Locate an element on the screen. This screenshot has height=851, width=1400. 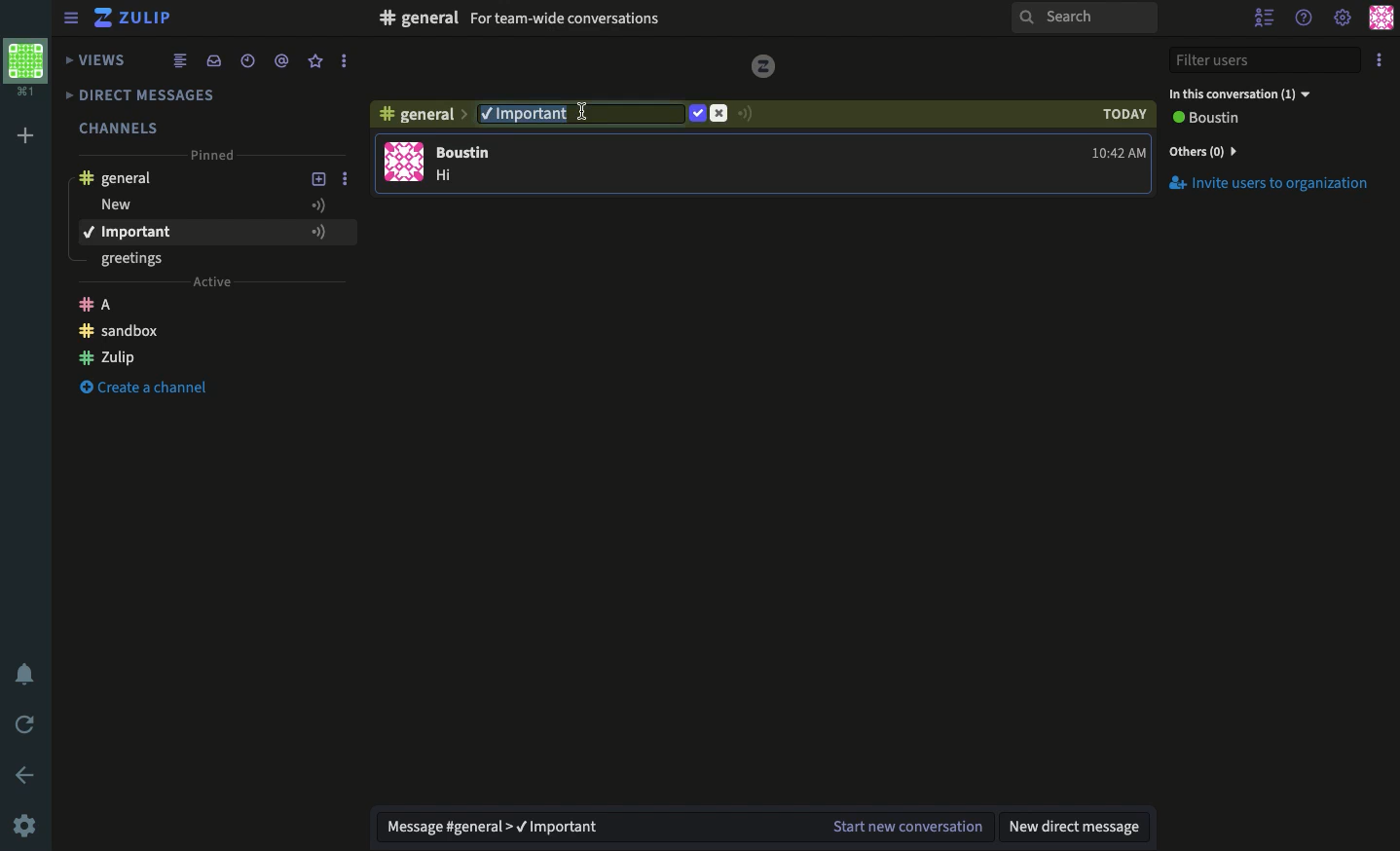
Settings is located at coordinates (1343, 19).